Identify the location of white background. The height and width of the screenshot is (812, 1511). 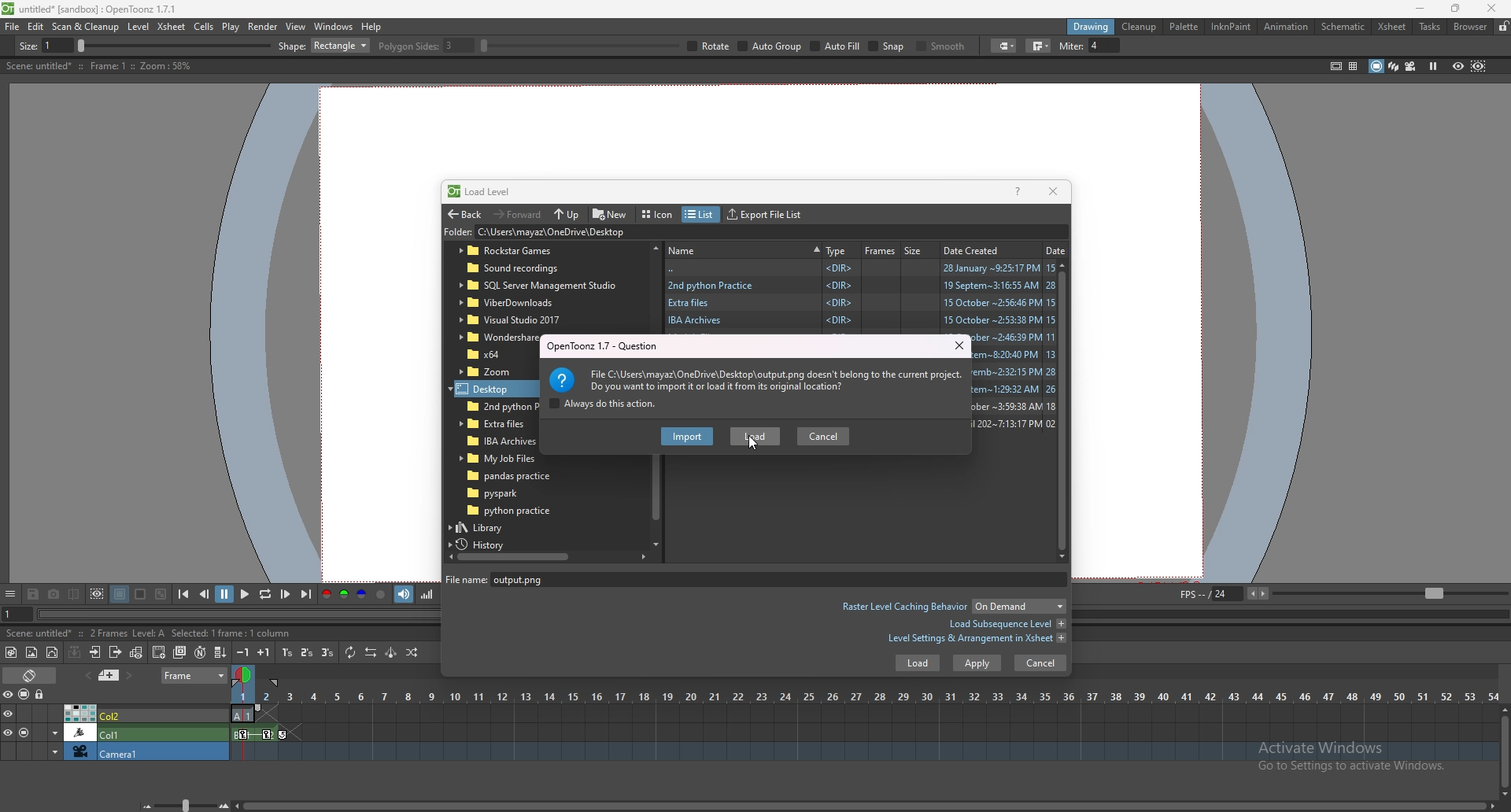
(139, 594).